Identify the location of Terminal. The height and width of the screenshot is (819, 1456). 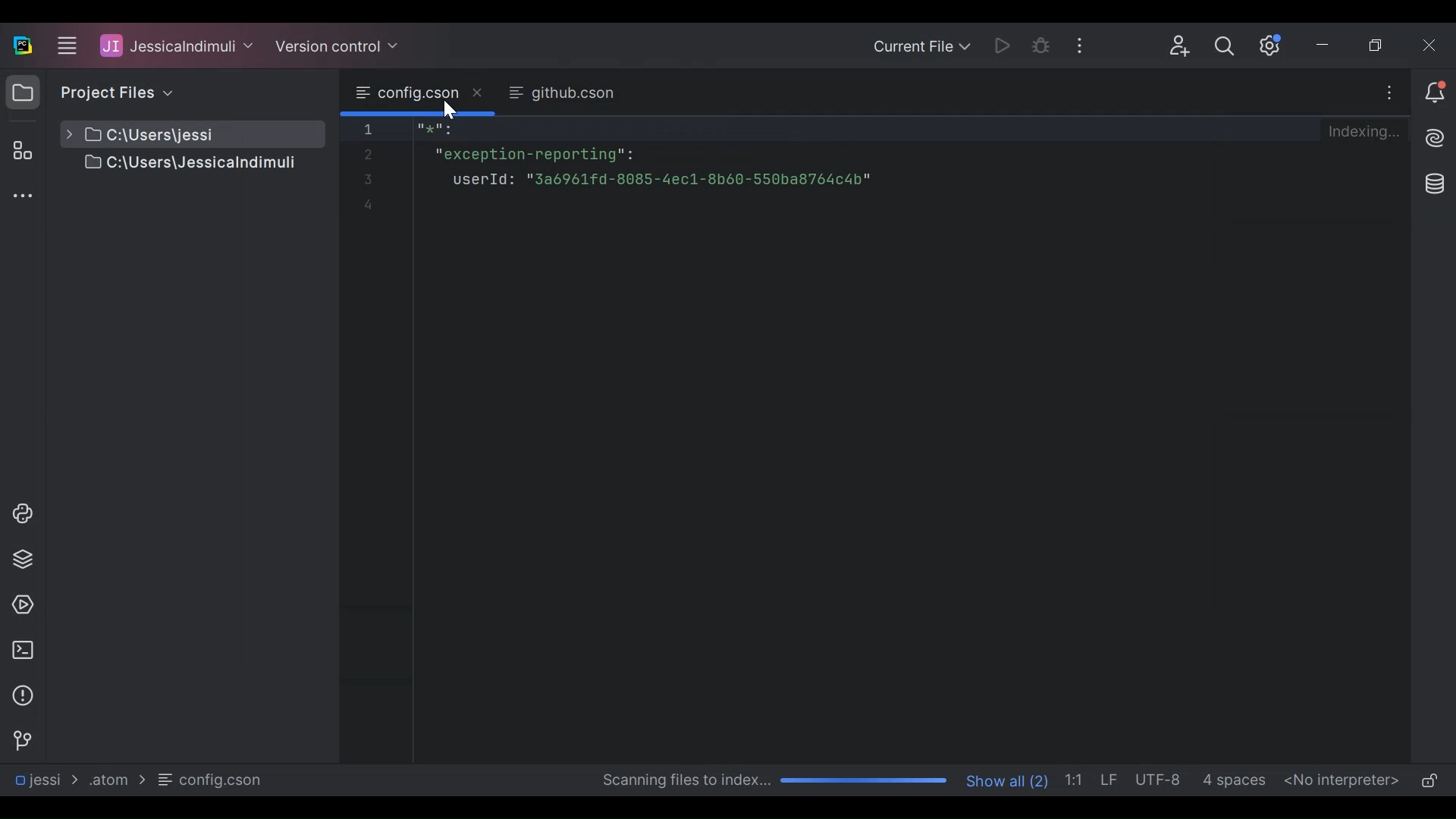
(23, 650).